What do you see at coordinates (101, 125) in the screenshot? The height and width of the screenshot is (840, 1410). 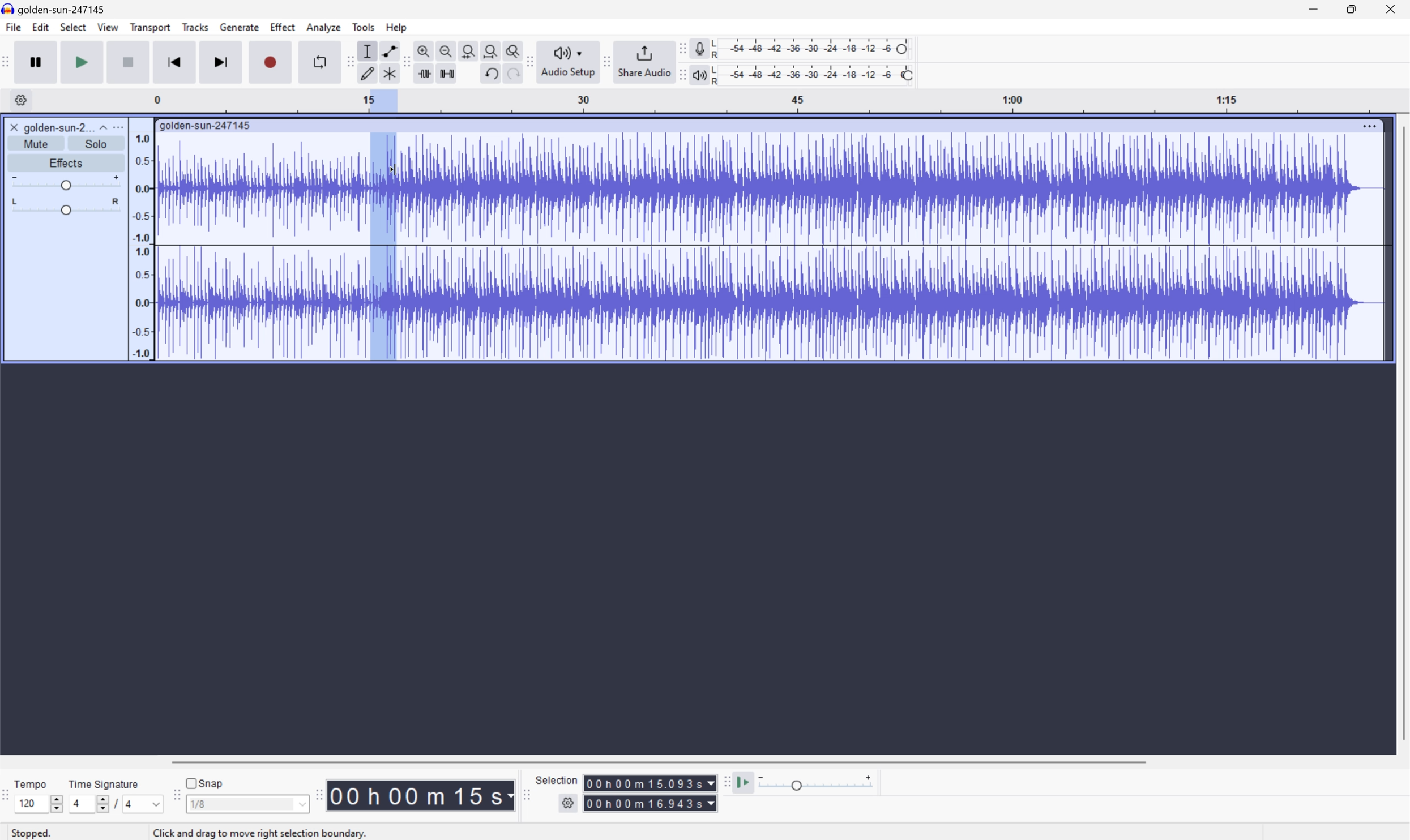 I see `Drop Down` at bounding box center [101, 125].